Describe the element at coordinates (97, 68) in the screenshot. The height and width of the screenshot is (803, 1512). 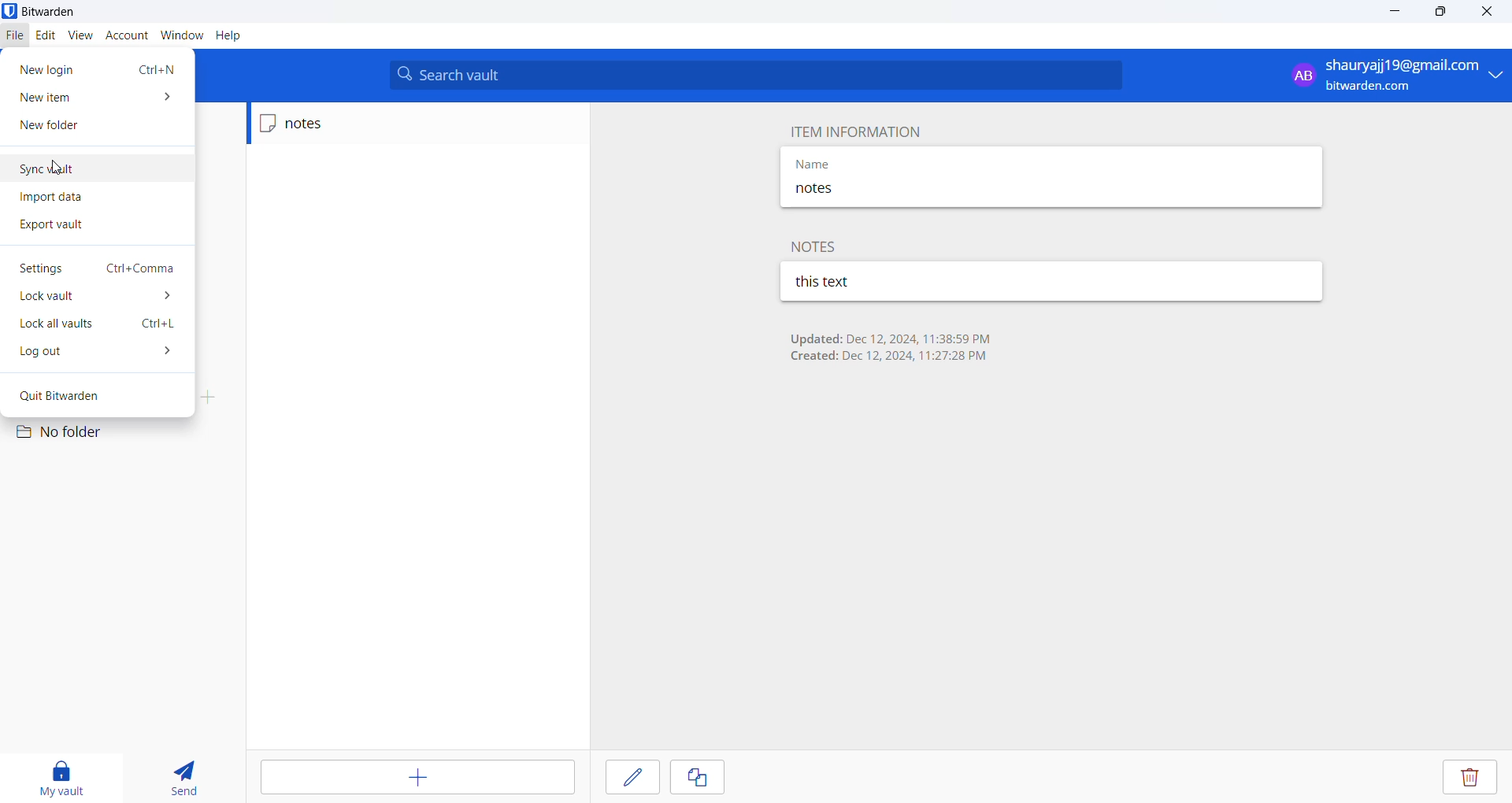
I see `new login` at that location.